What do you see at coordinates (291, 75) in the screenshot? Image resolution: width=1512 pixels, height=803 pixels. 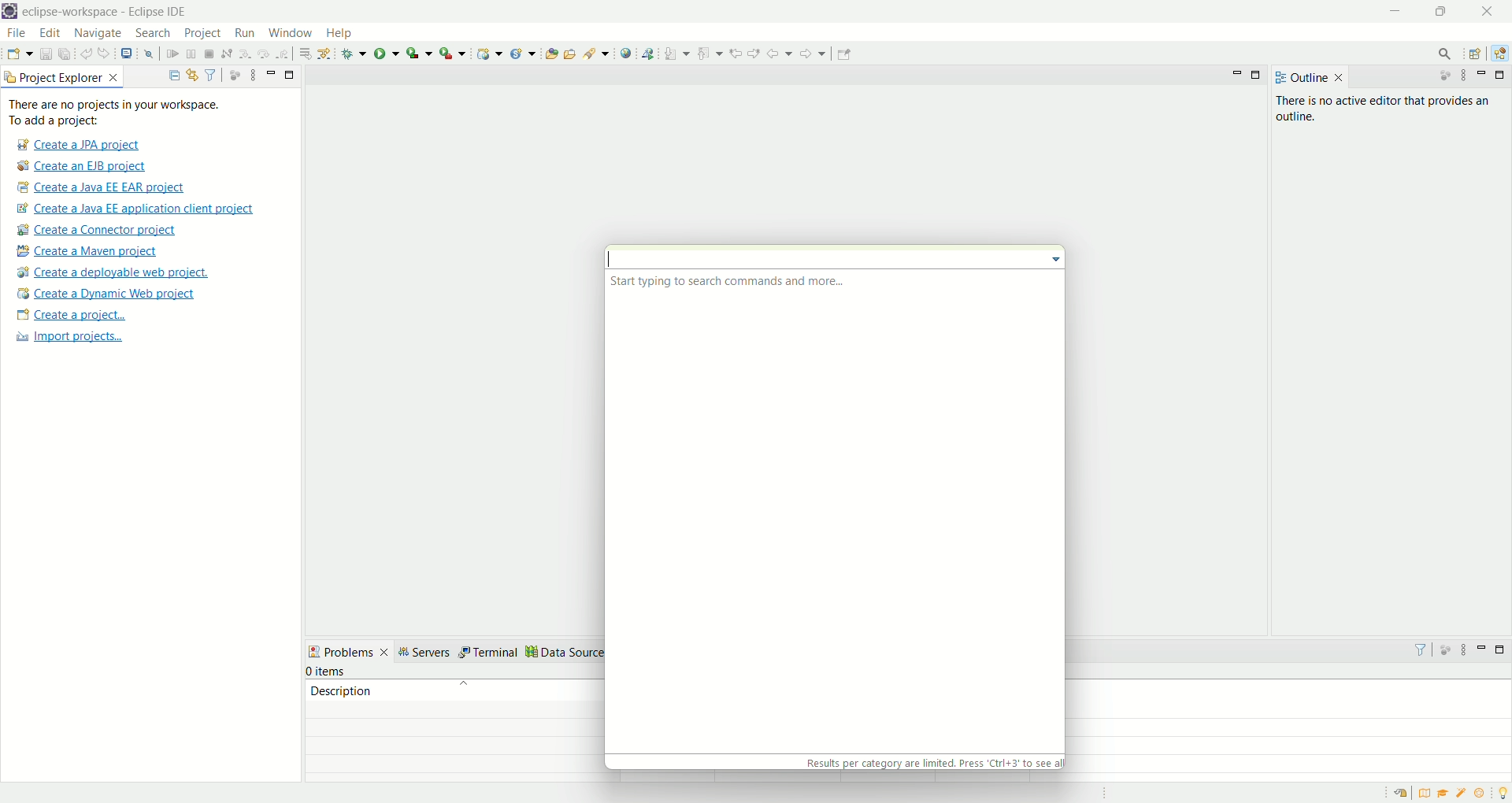 I see `maximize` at bounding box center [291, 75].